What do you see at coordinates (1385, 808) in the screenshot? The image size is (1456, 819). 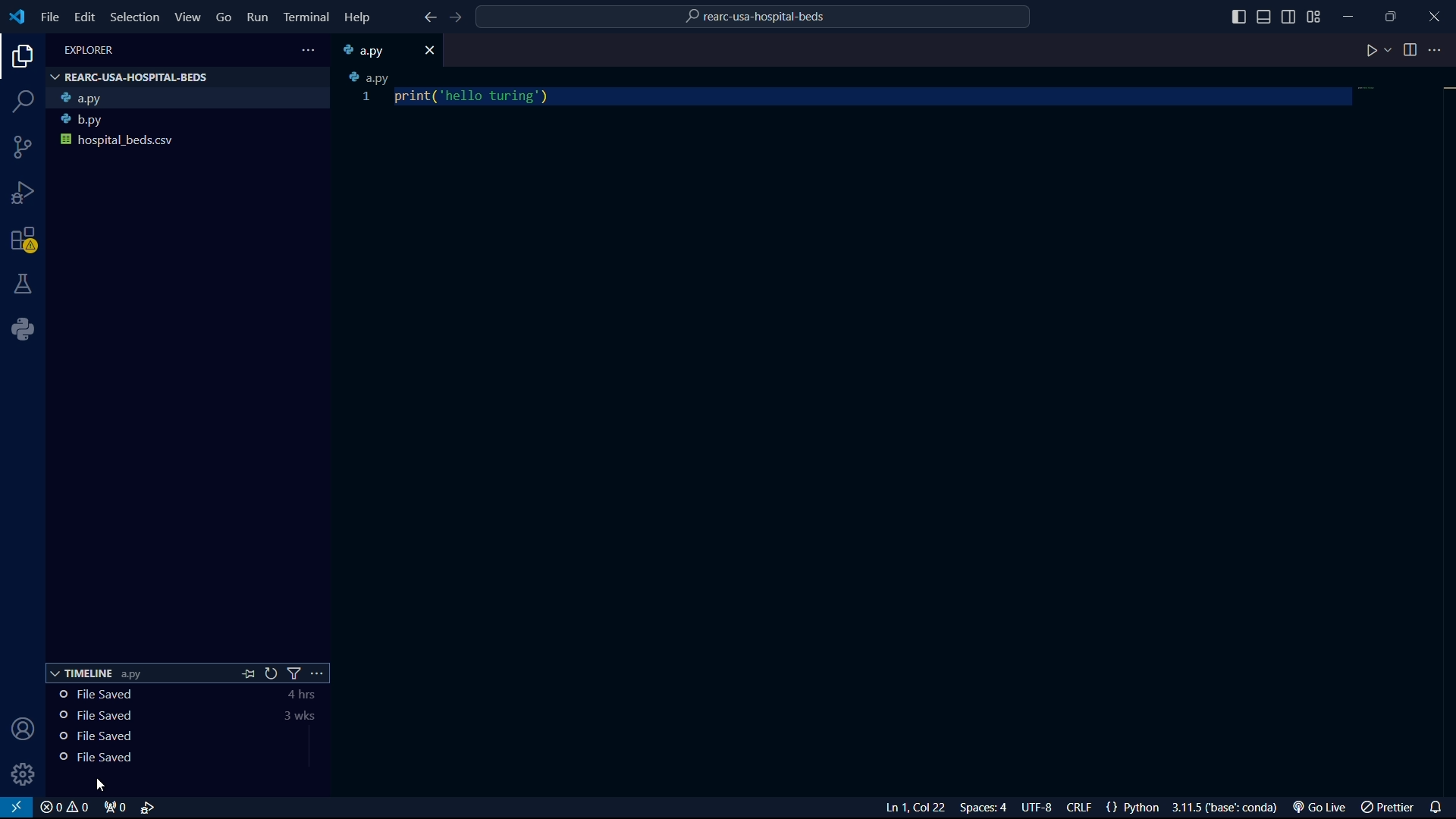 I see `prettier extension` at bounding box center [1385, 808].